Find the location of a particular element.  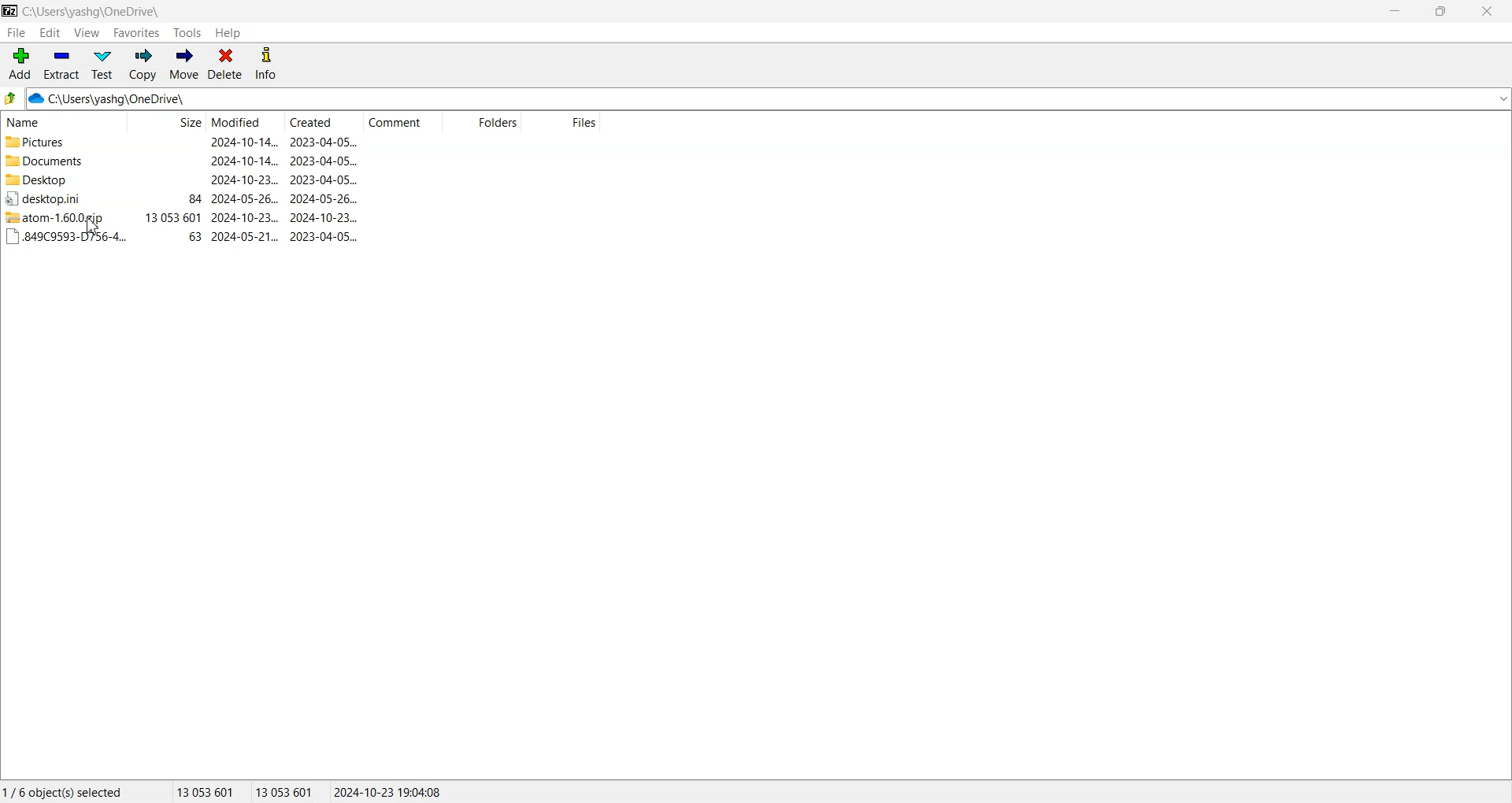

Created Date is located at coordinates (324, 123).